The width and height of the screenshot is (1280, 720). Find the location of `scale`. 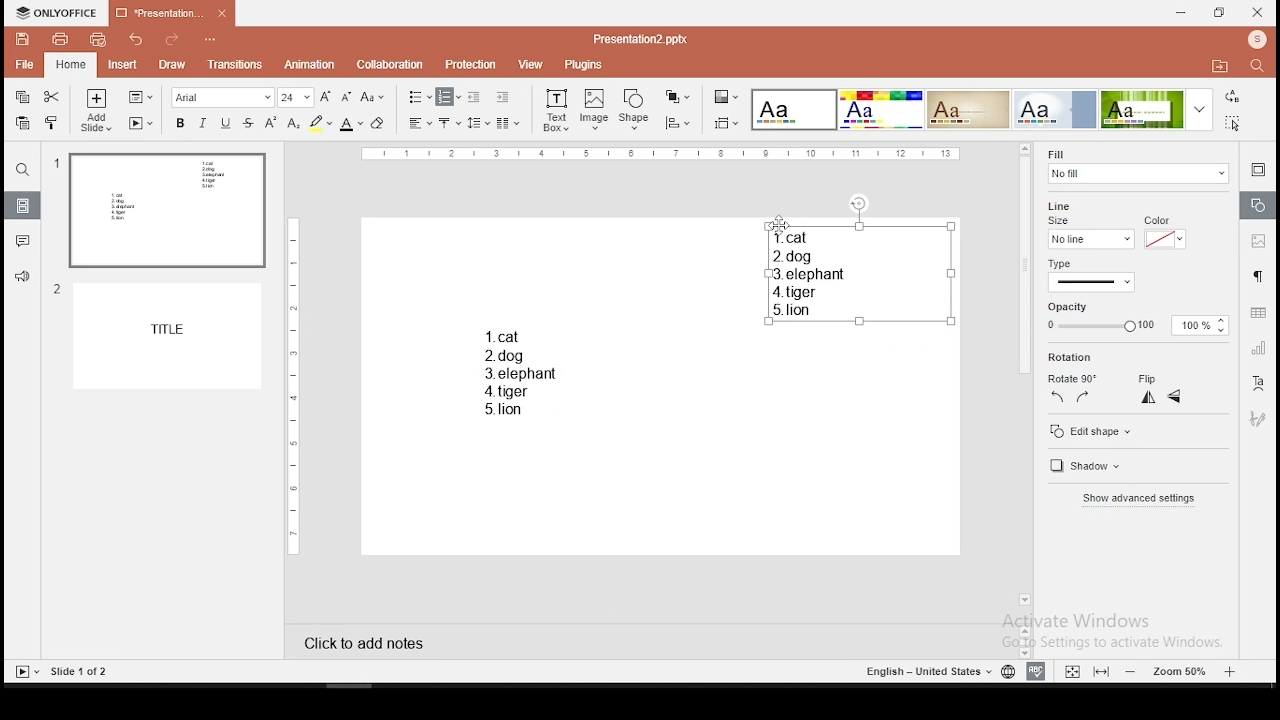

scale is located at coordinates (661, 155).